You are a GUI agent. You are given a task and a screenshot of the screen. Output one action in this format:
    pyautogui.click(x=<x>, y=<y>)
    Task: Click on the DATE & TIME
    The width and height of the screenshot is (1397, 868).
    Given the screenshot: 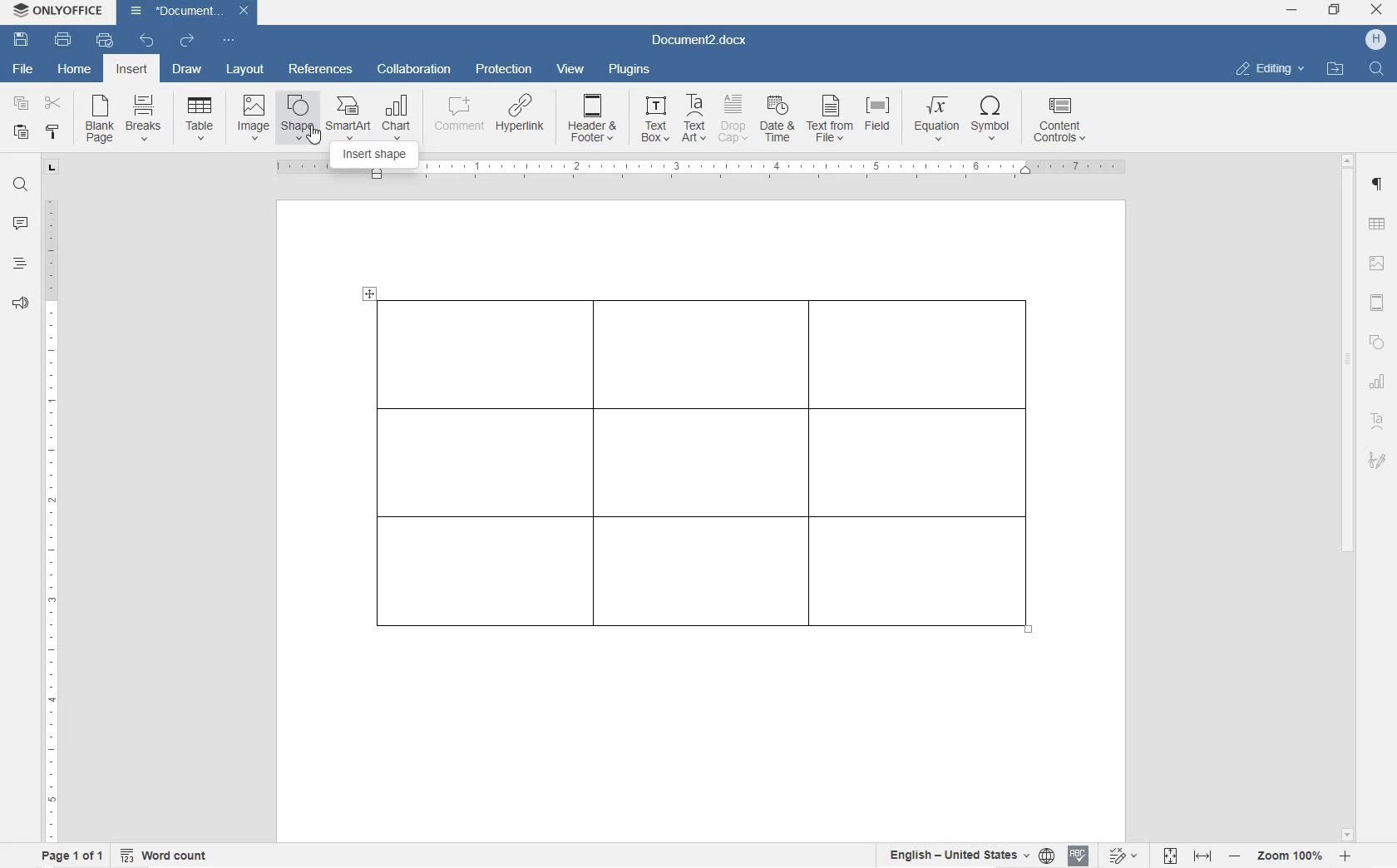 What is the action you would take?
    pyautogui.click(x=780, y=121)
    